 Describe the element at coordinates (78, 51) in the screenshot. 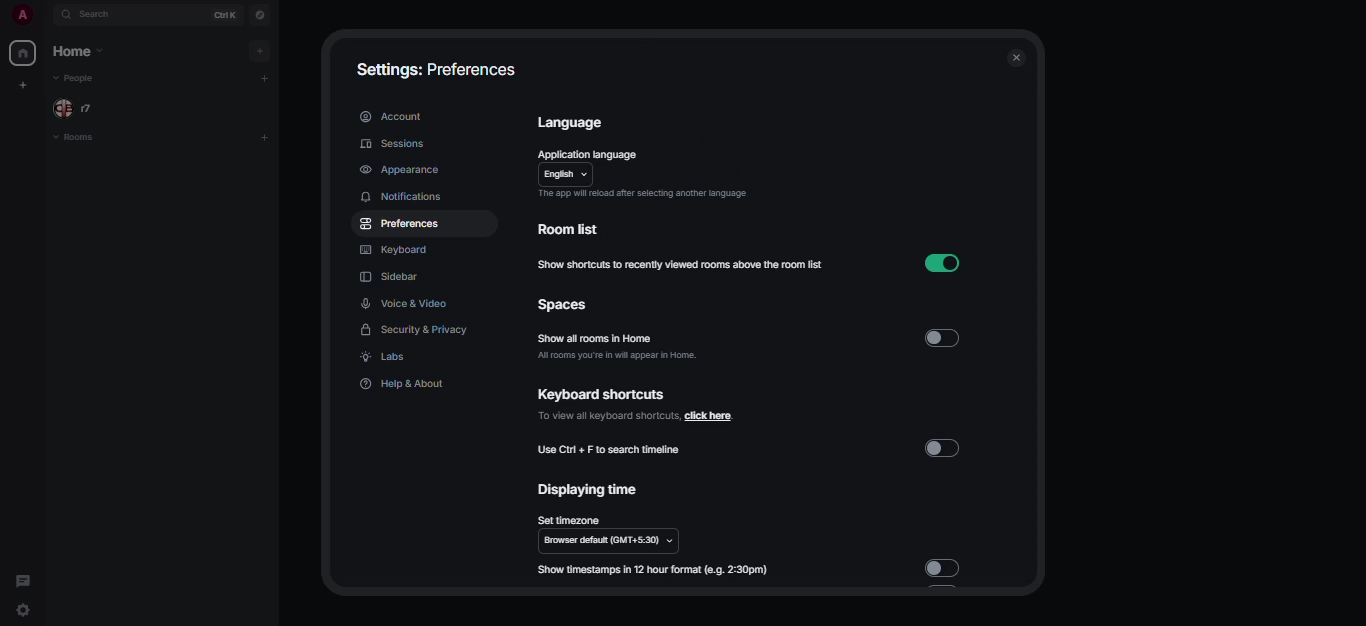

I see `home` at that location.